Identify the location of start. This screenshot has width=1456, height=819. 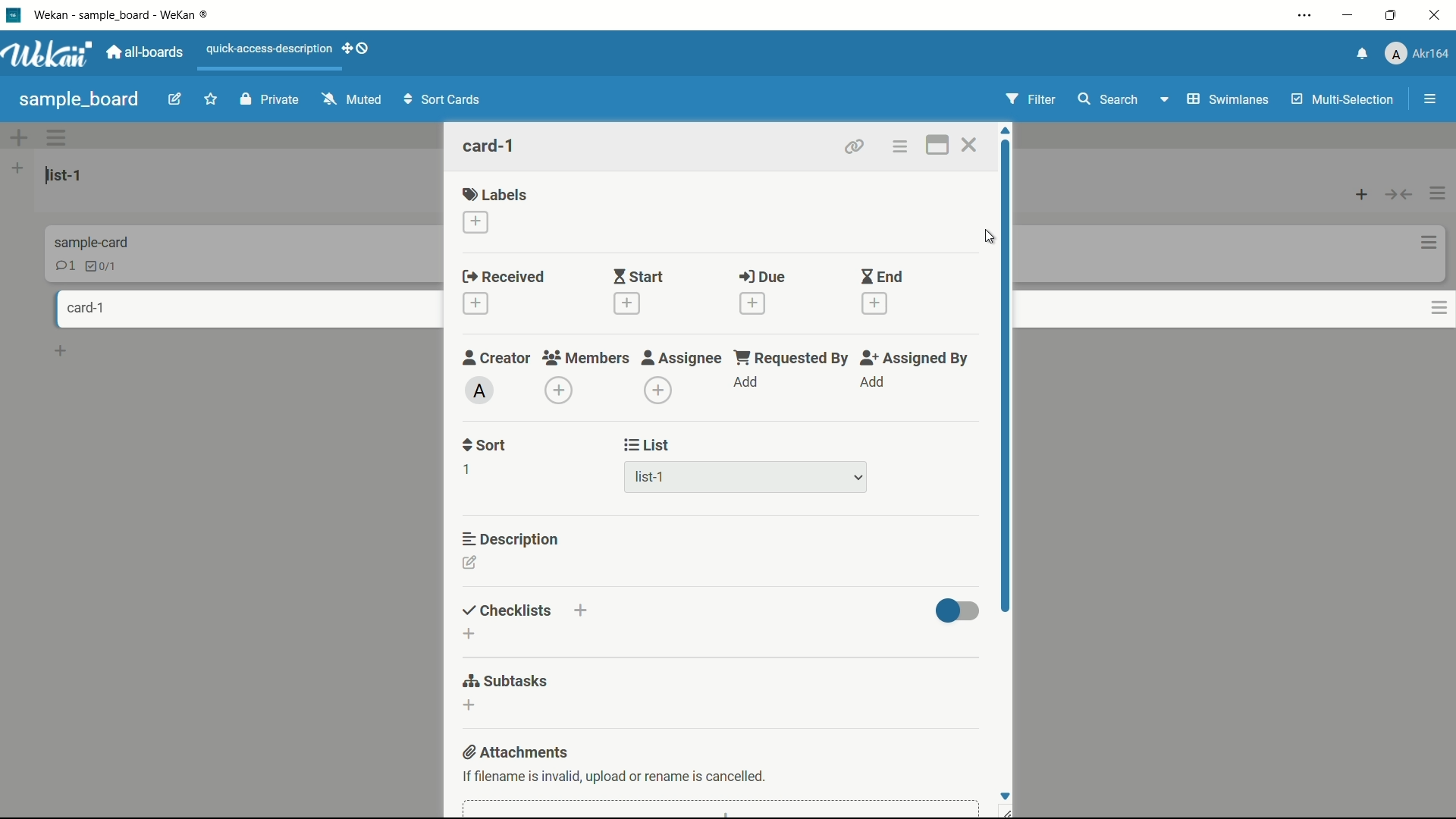
(639, 275).